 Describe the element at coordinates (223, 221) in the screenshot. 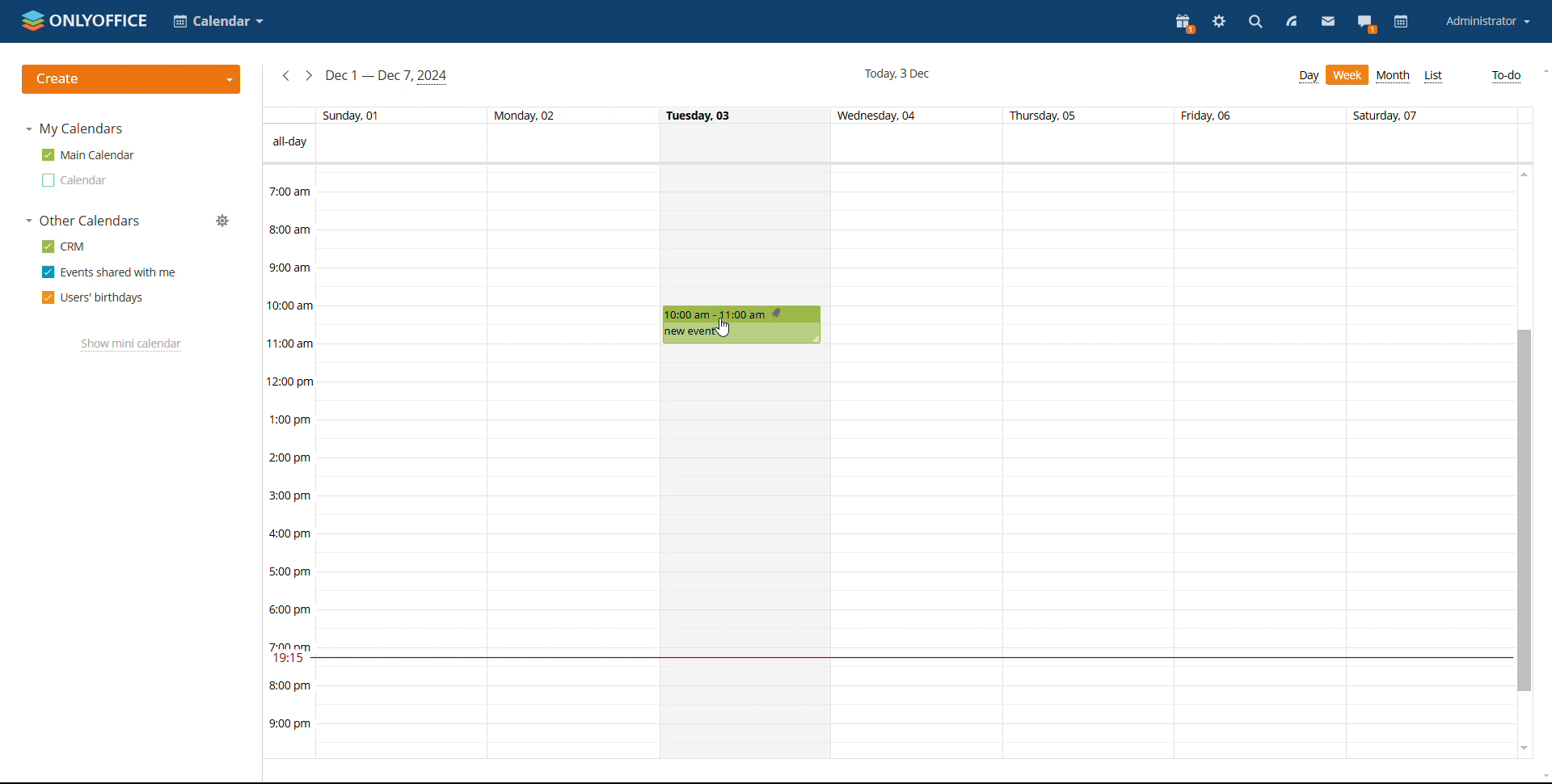

I see `manage` at that location.